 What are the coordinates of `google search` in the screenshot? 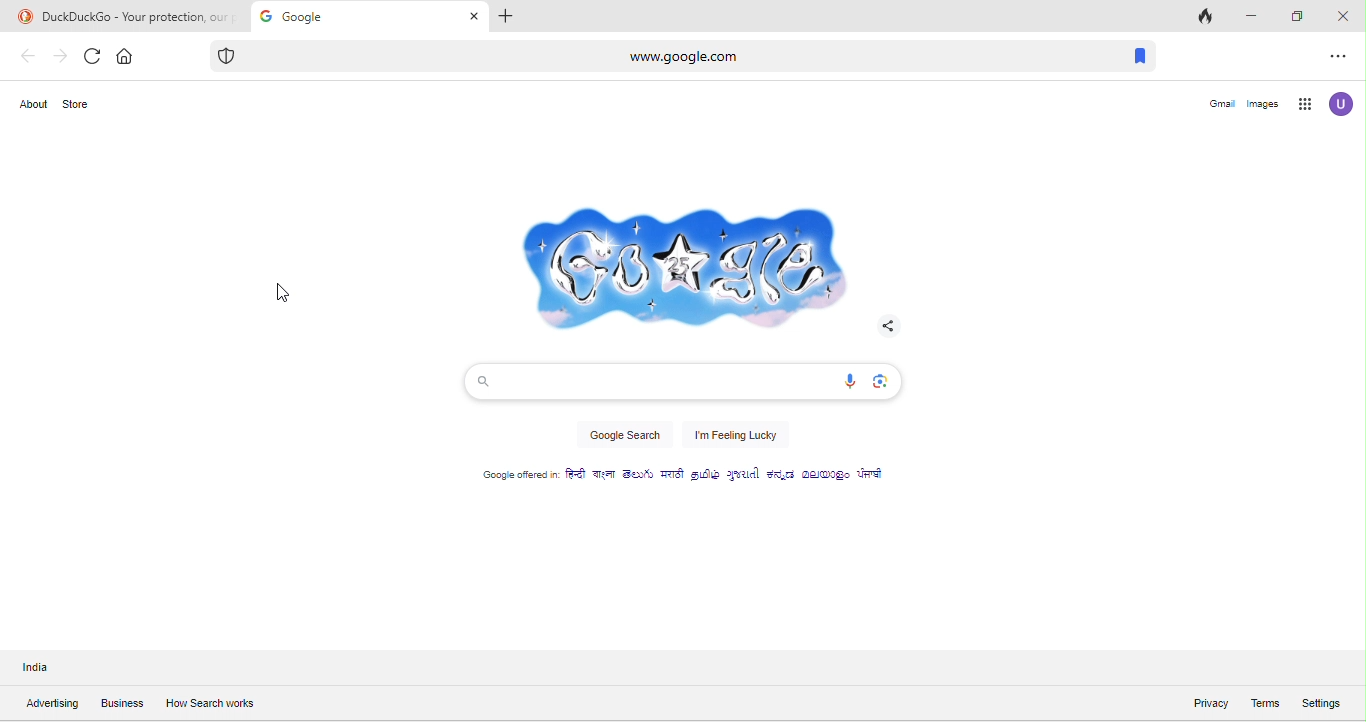 It's located at (623, 439).